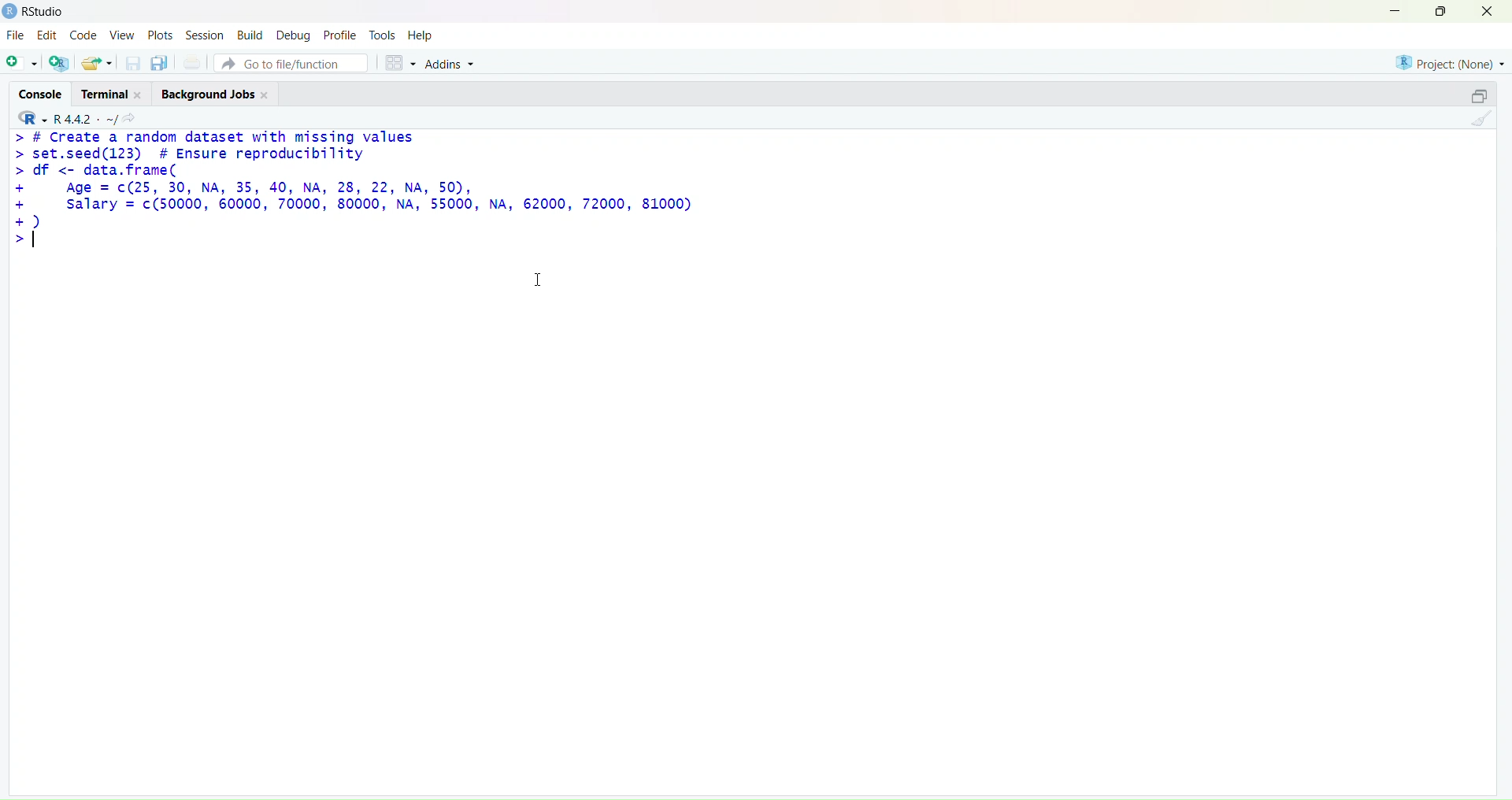  What do you see at coordinates (539, 280) in the screenshot?
I see `cursor` at bounding box center [539, 280].